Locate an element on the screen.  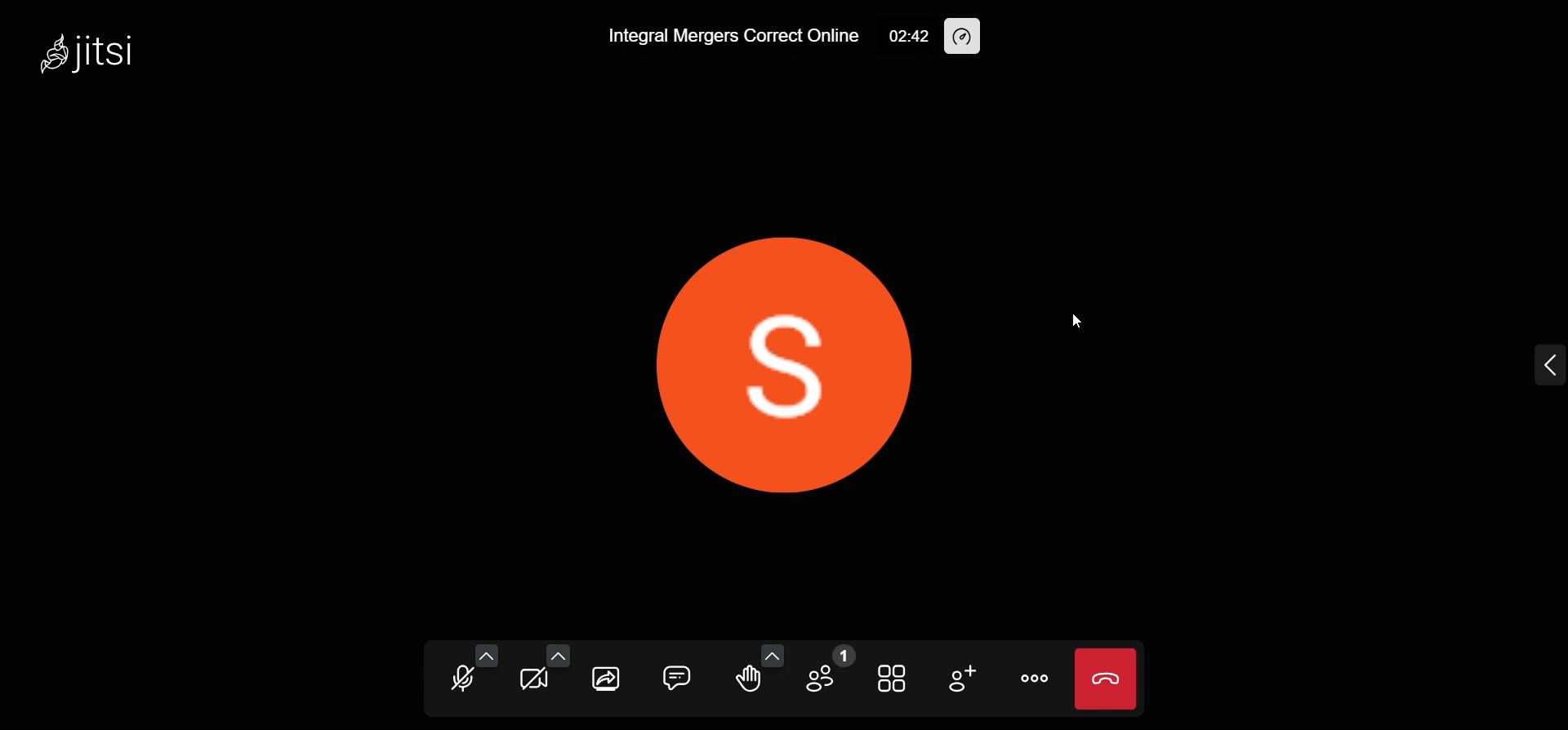
Integral Mergers Correct Online is located at coordinates (726, 37).